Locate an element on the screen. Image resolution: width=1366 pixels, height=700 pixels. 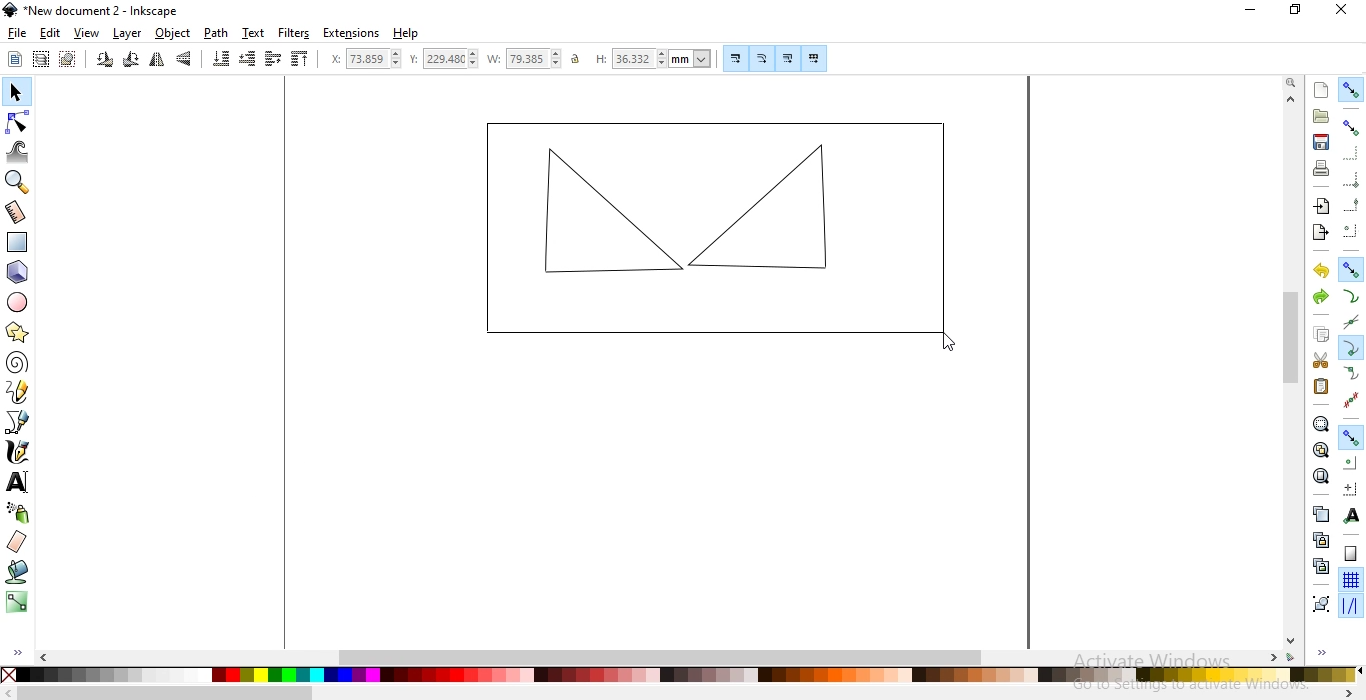
copy selection to clipboard is located at coordinates (1323, 336).